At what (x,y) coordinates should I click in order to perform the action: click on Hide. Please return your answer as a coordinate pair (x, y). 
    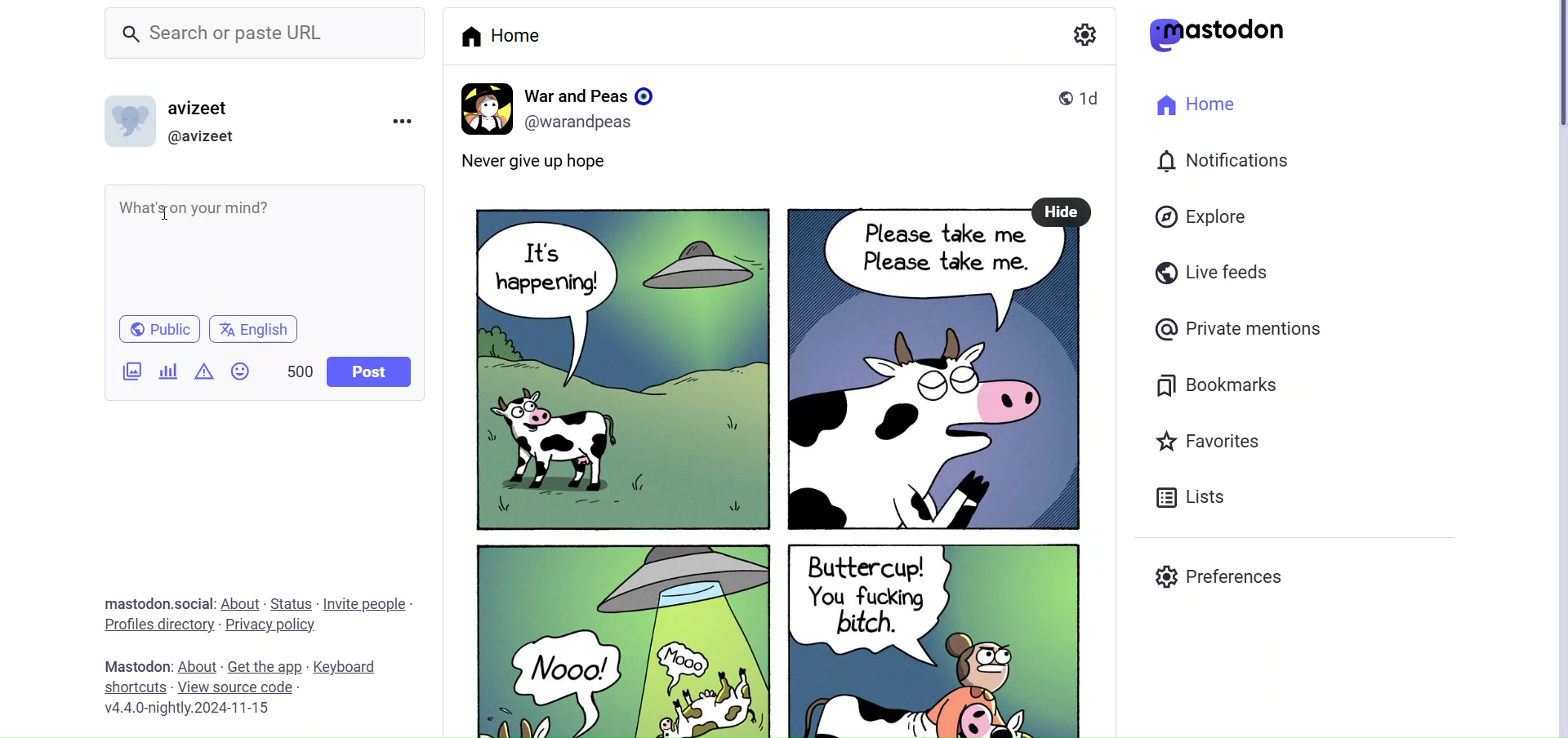
    Looking at the image, I should click on (1062, 211).